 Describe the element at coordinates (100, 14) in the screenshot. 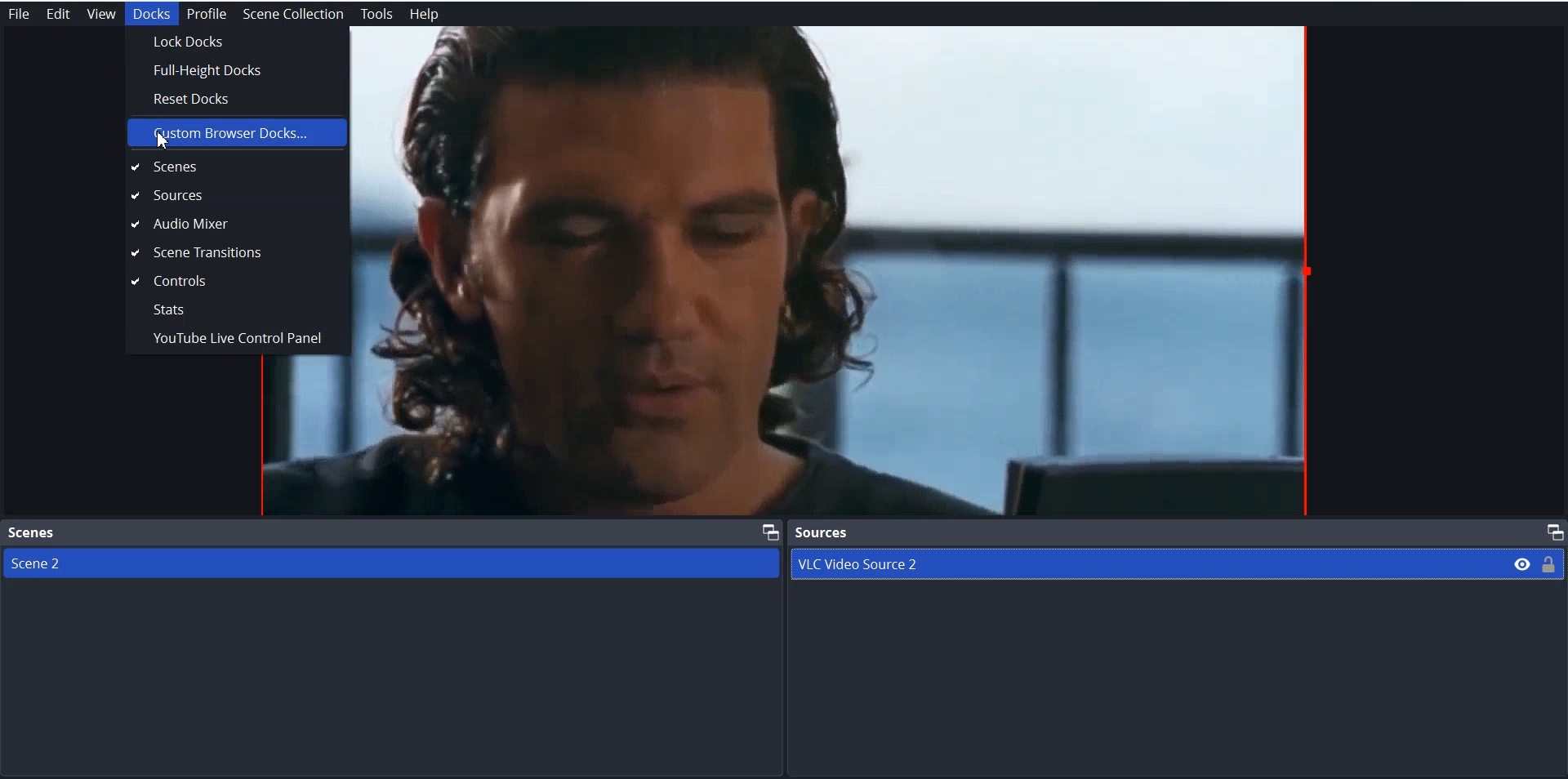

I see `View` at that location.